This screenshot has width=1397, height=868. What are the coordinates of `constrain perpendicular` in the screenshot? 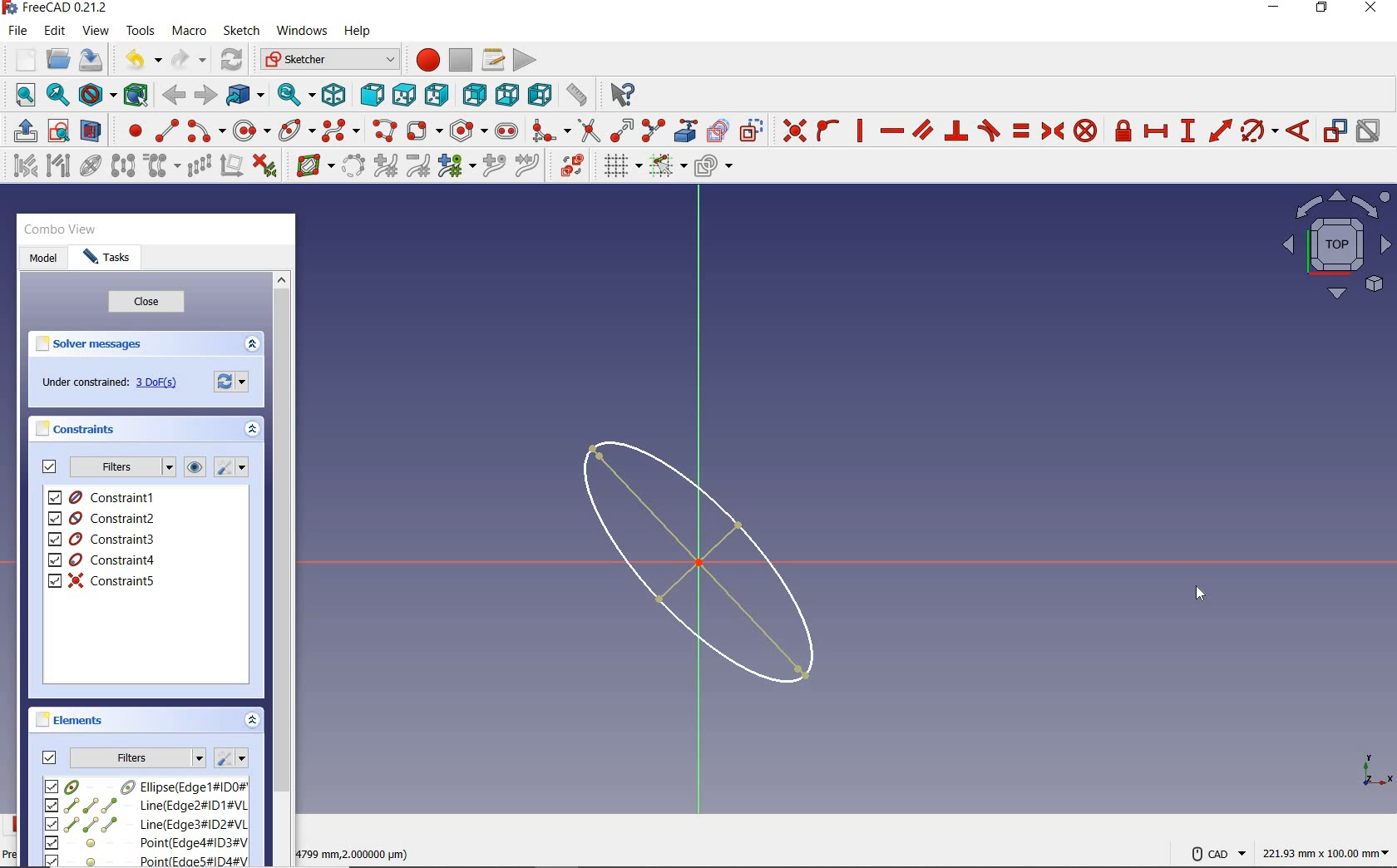 It's located at (957, 131).